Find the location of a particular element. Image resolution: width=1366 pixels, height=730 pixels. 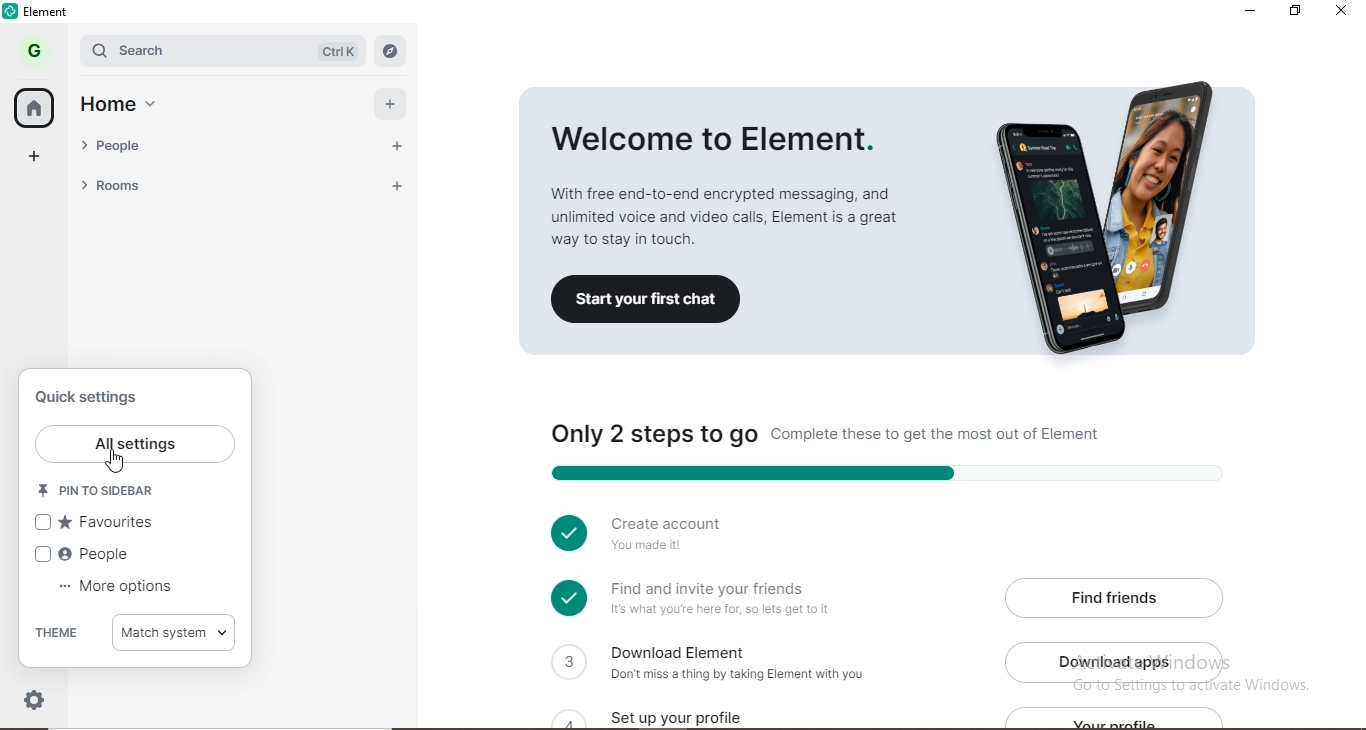

pin to sidebar is located at coordinates (104, 493).